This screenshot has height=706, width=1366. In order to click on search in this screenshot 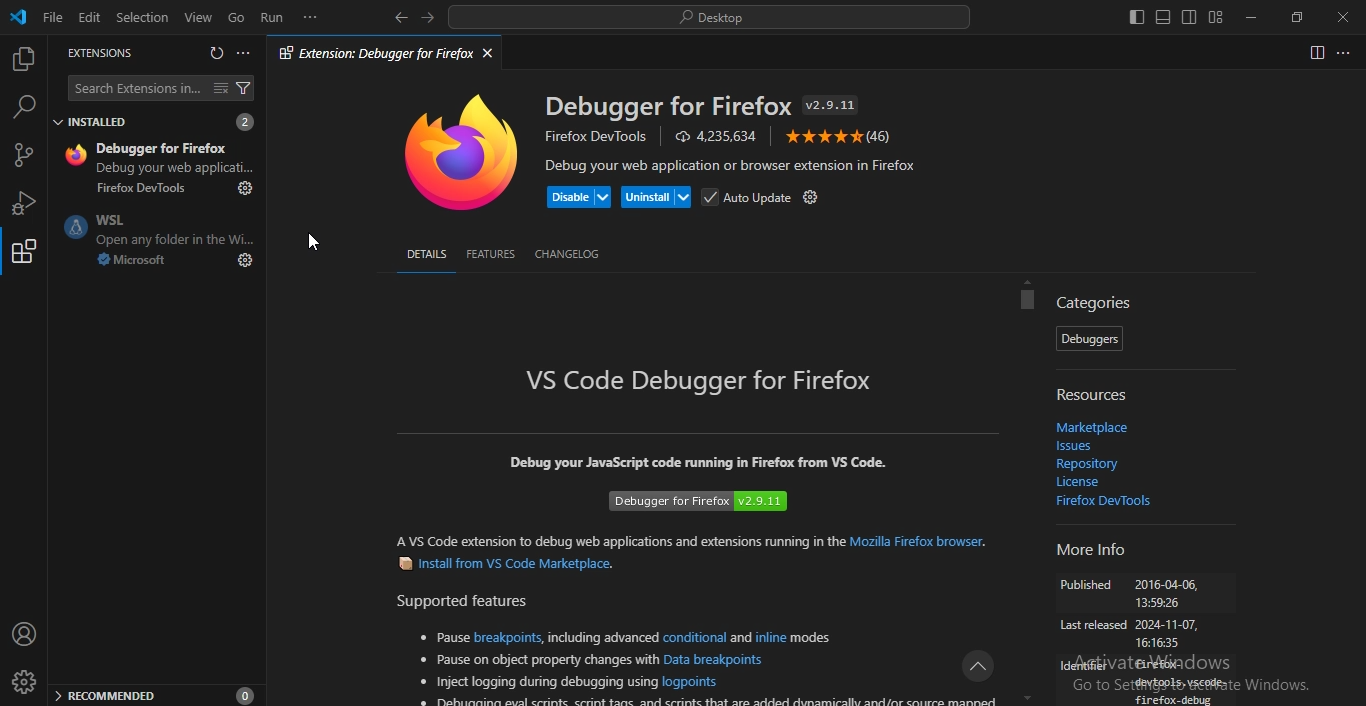, I will do `click(22, 107)`.